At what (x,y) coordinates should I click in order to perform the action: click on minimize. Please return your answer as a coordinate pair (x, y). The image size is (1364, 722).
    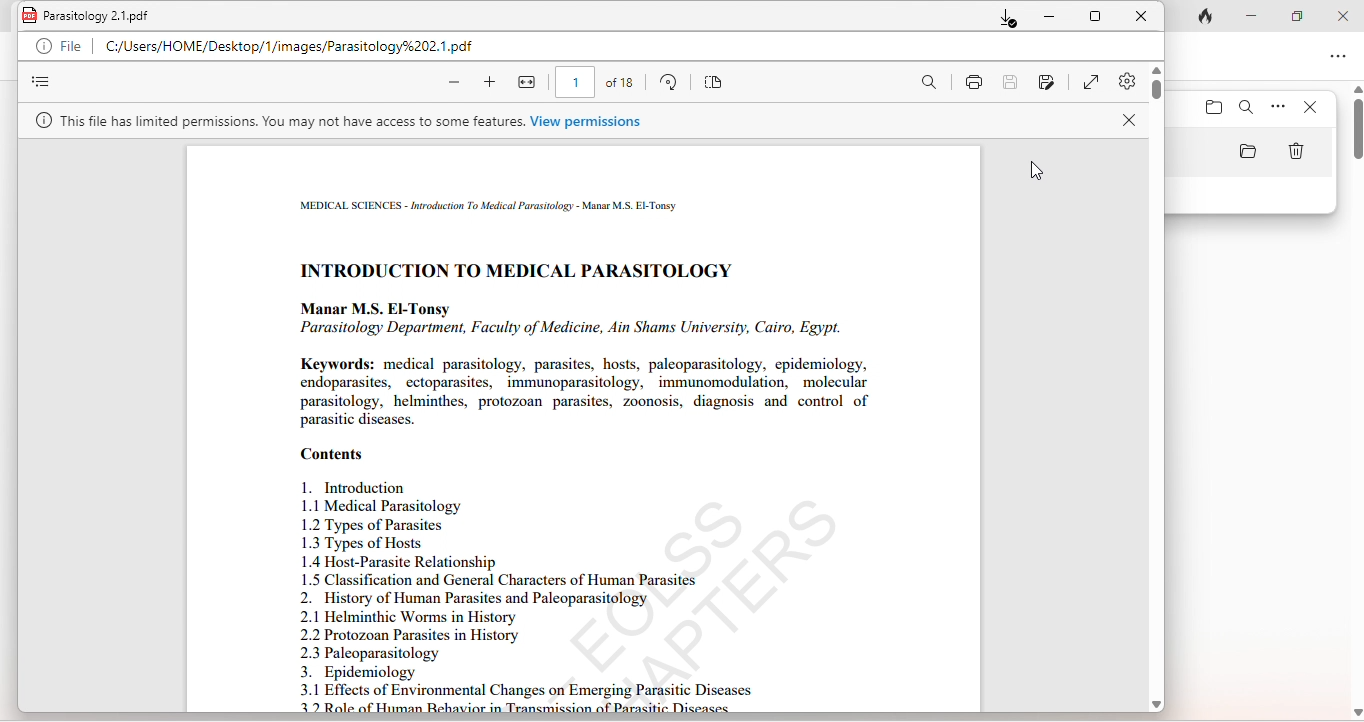
    Looking at the image, I should click on (1248, 17).